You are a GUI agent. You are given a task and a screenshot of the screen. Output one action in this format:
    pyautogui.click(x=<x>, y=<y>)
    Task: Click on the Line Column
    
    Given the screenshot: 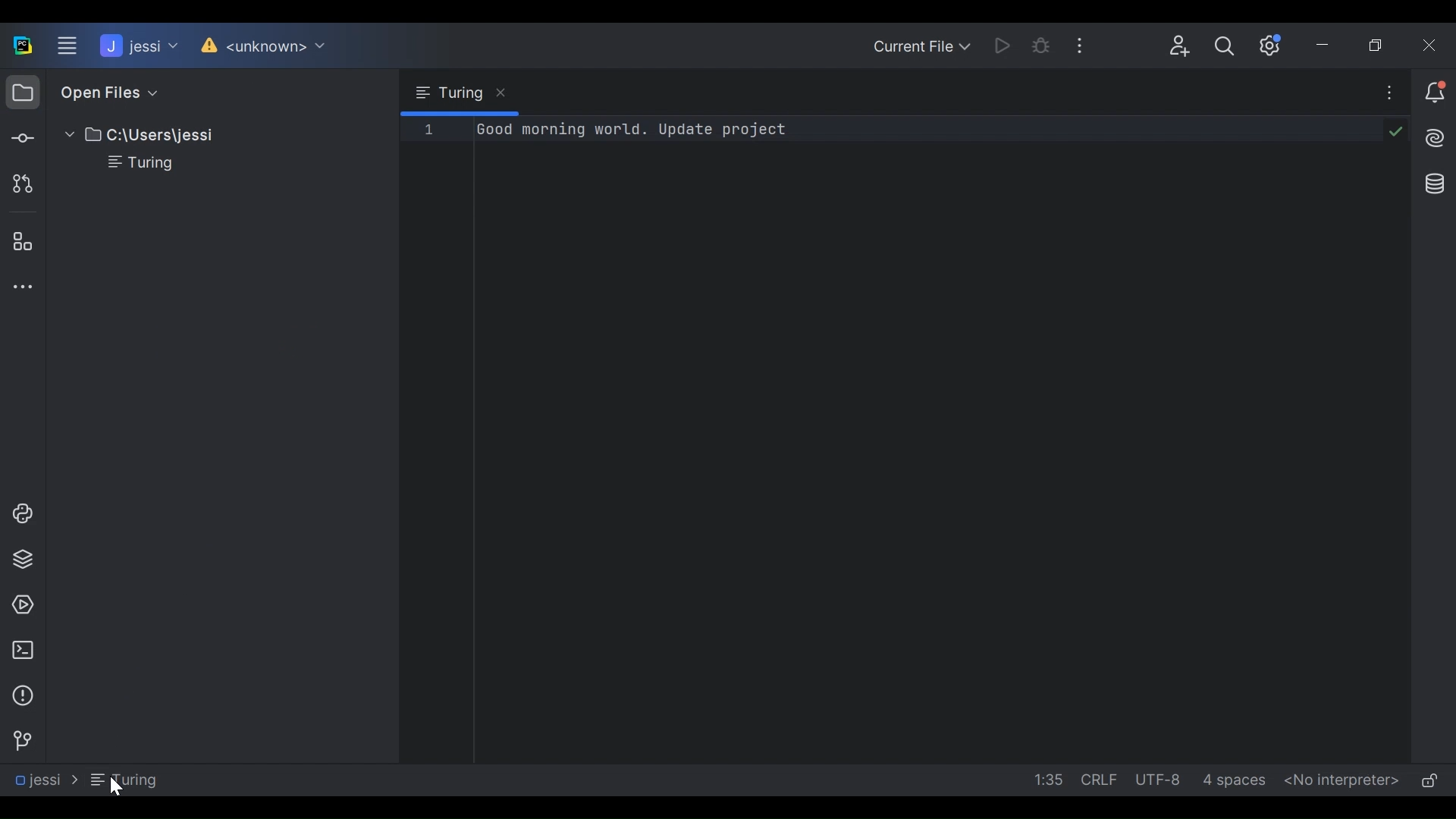 What is the action you would take?
    pyautogui.click(x=1043, y=779)
    